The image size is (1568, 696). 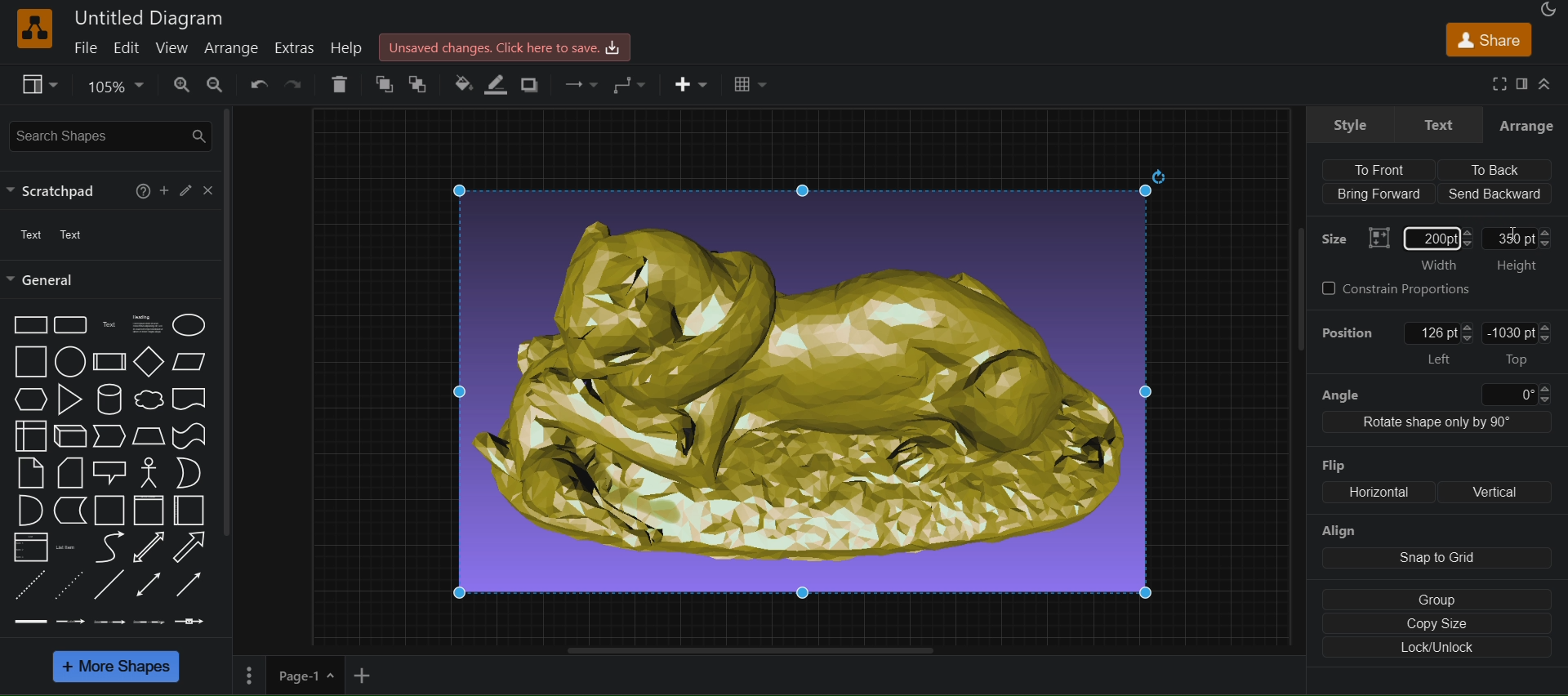 I want to click on add new page, so click(x=369, y=676).